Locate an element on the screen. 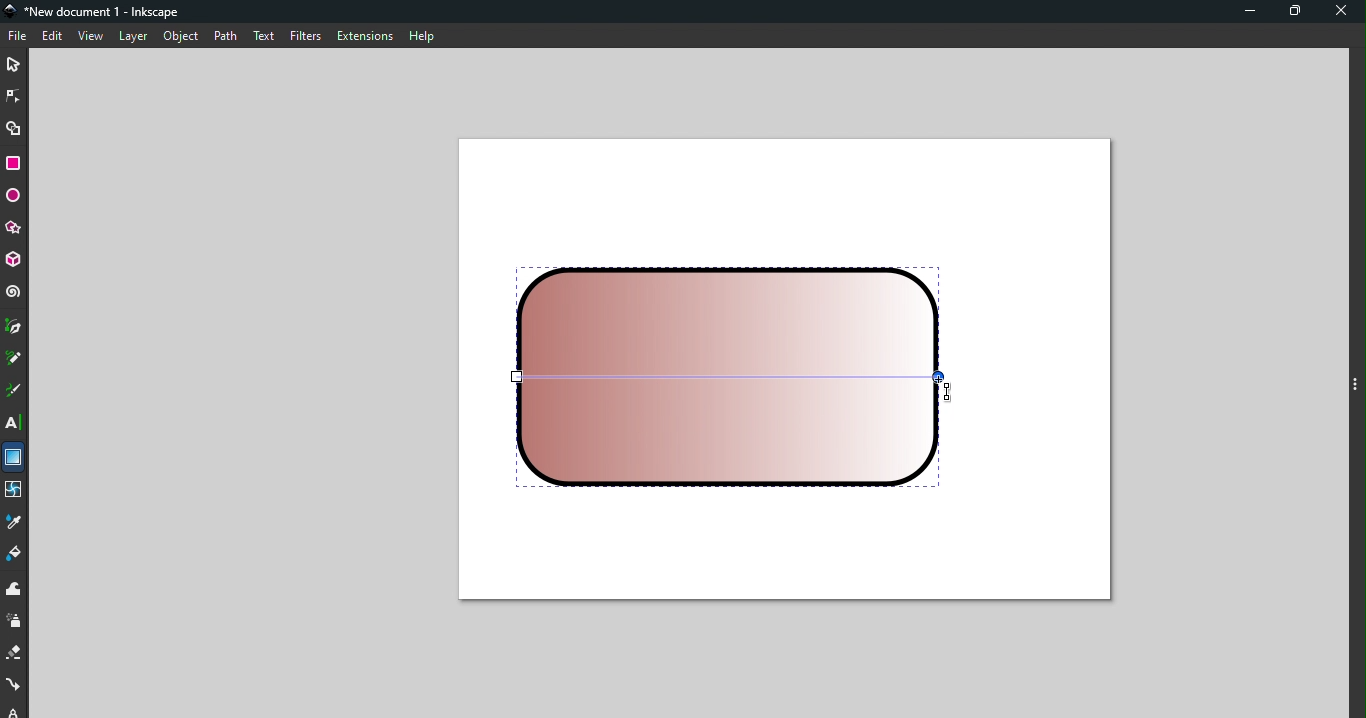  Dropper tool is located at coordinates (15, 523).